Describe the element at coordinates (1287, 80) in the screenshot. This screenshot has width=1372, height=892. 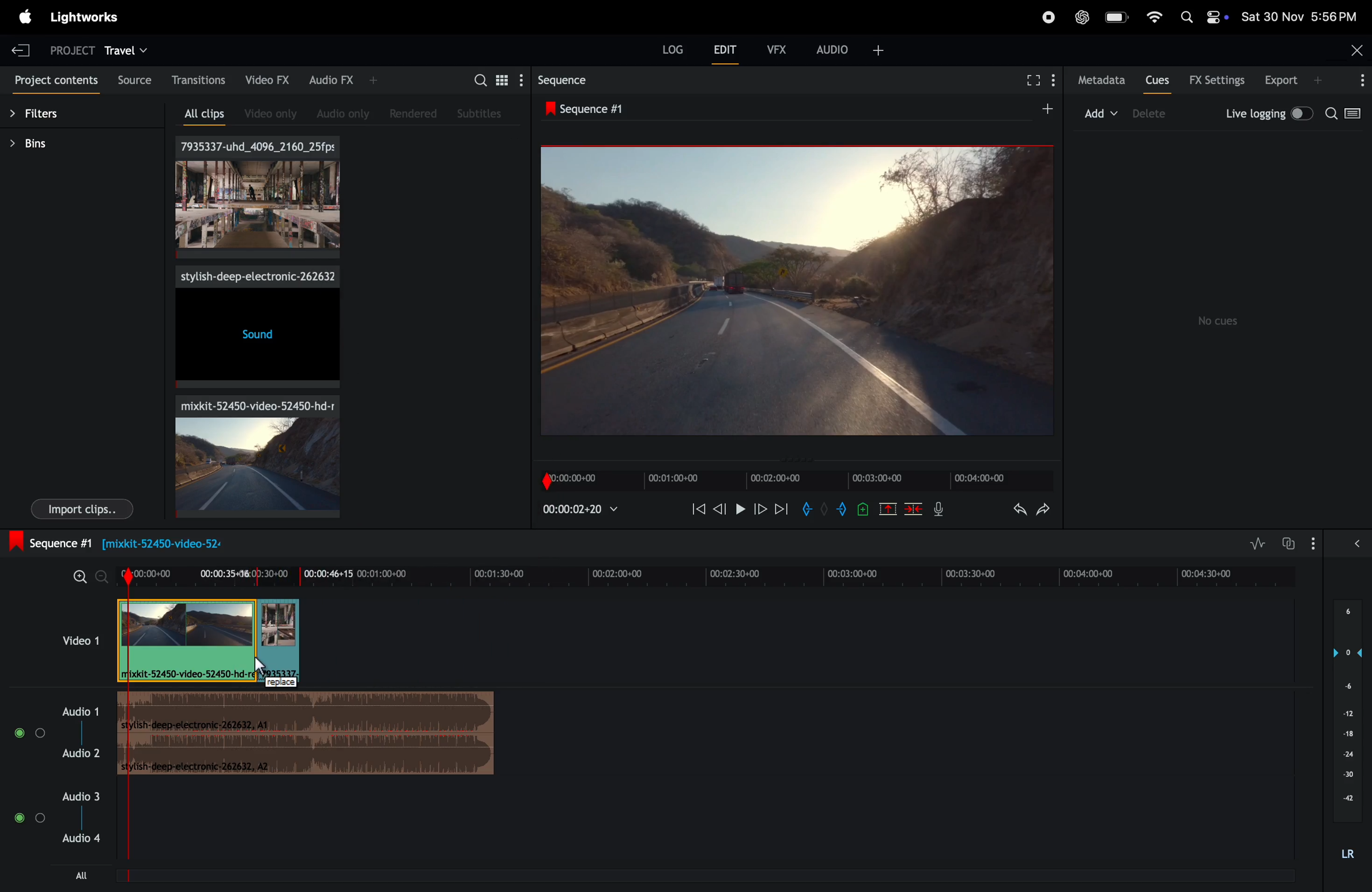
I see `export` at that location.